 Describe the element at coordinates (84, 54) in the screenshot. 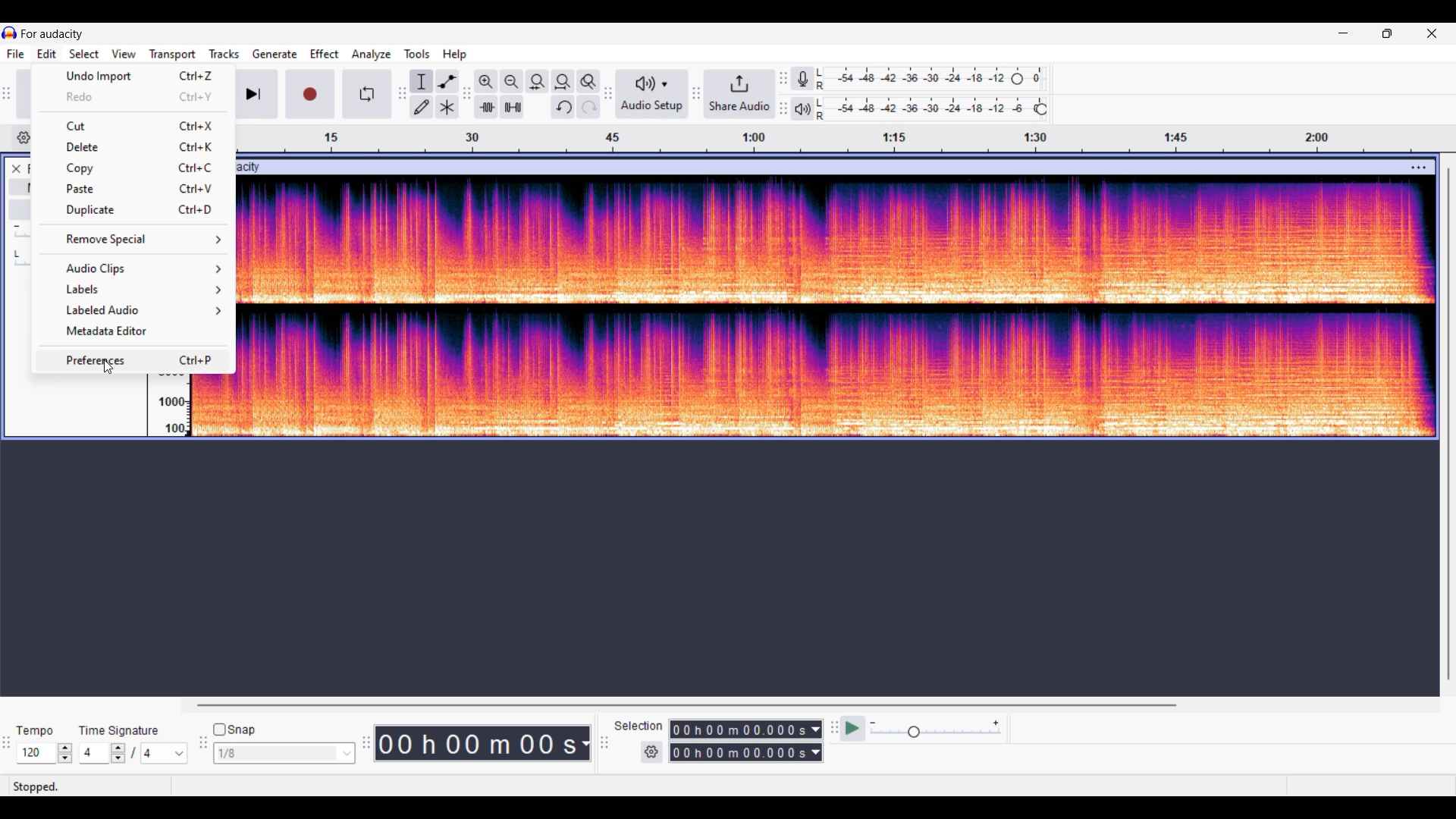

I see `Select menu` at that location.